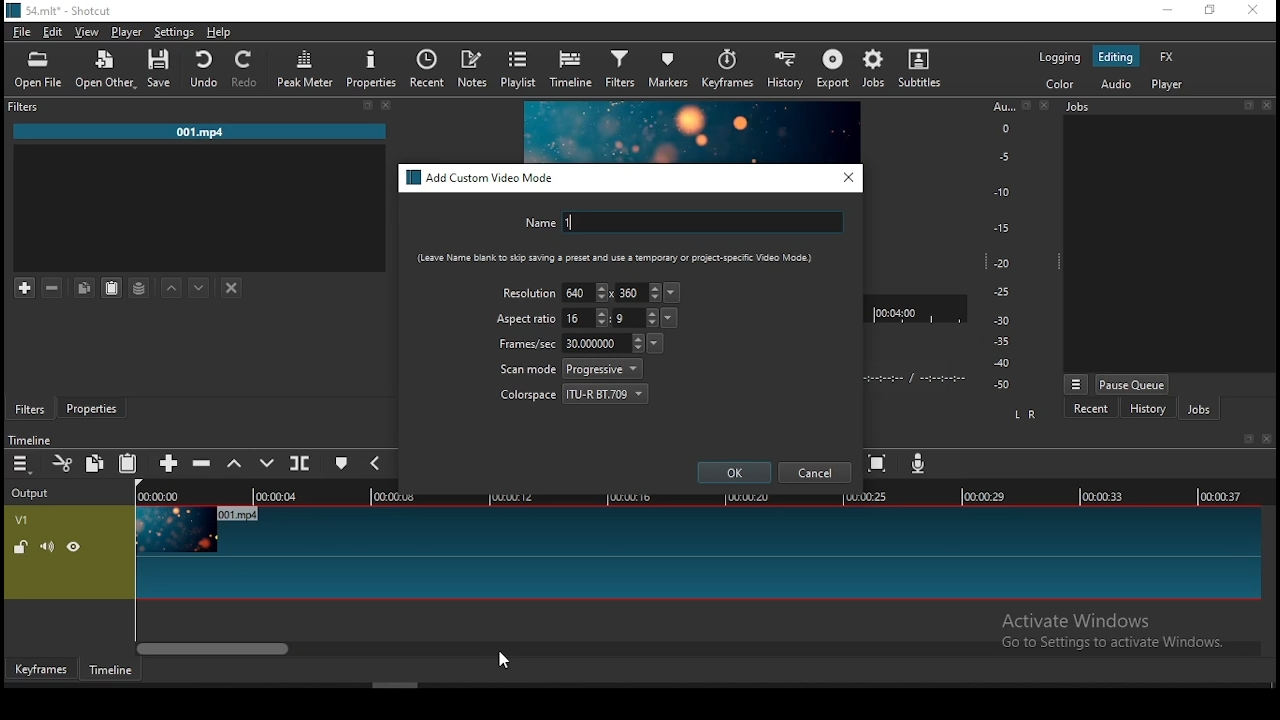  I want to click on undo, so click(205, 69).